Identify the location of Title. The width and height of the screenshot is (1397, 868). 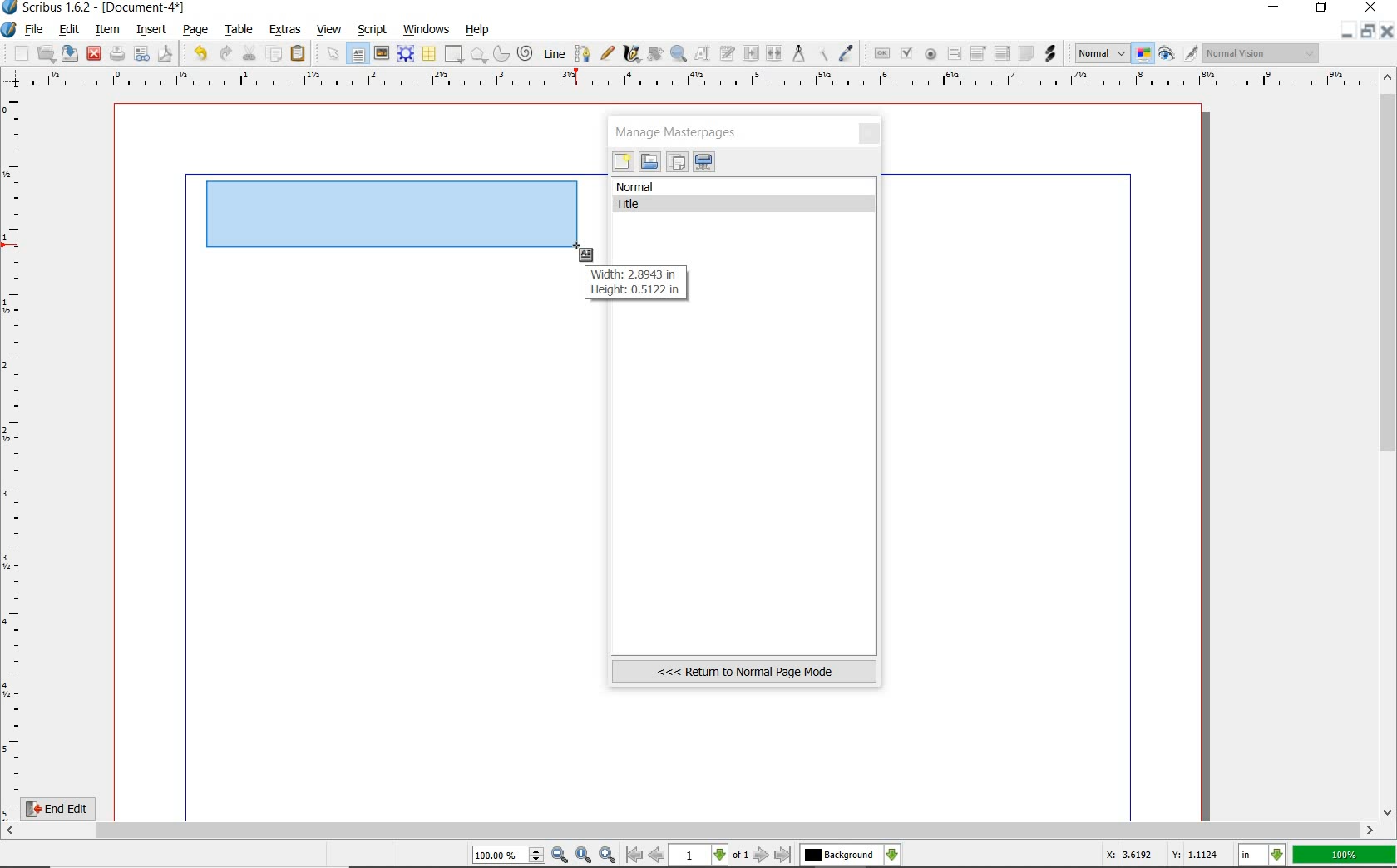
(747, 205).